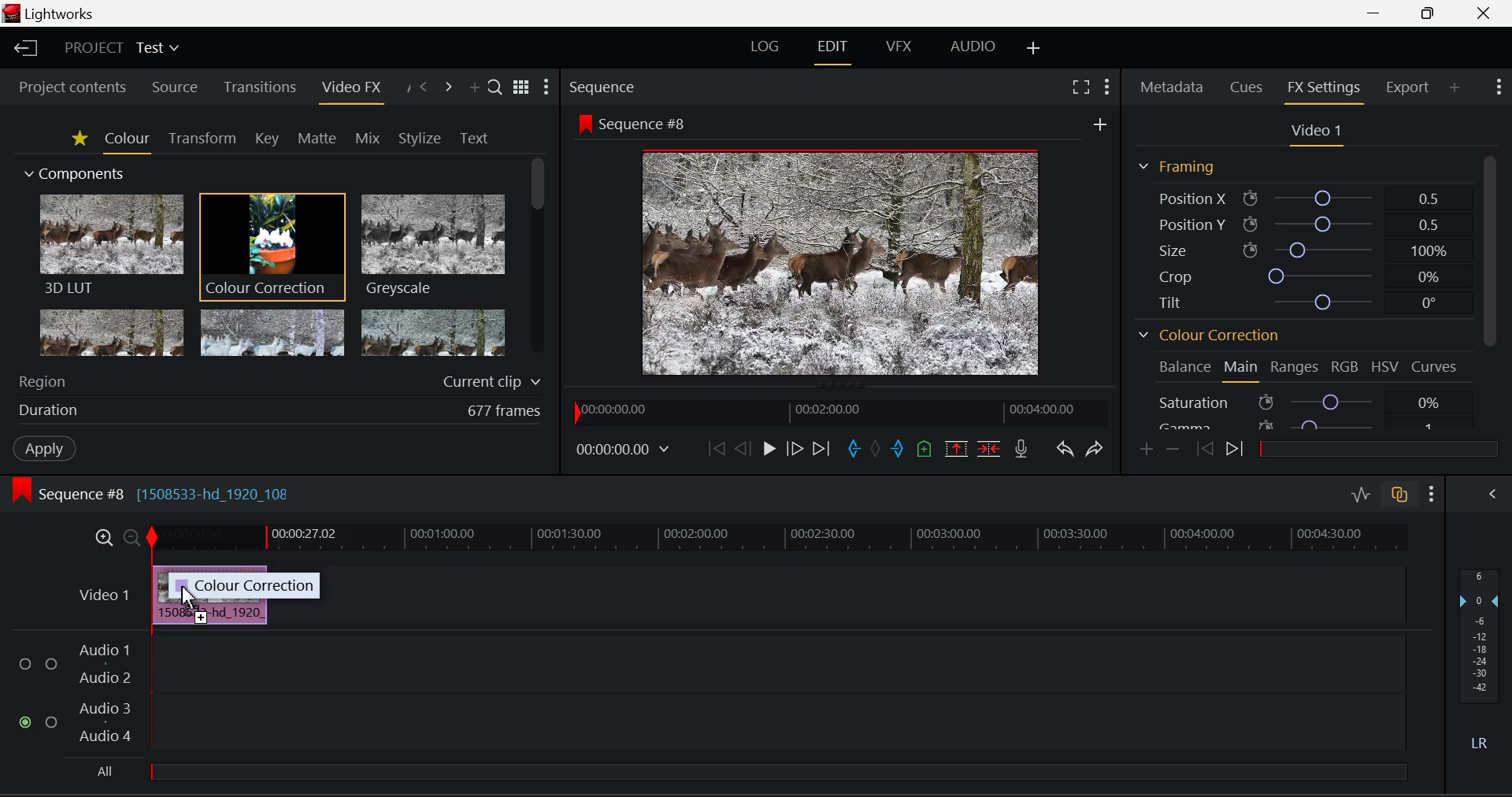 The image size is (1512, 797). Describe the element at coordinates (127, 140) in the screenshot. I see `Colour Tab Open` at that location.